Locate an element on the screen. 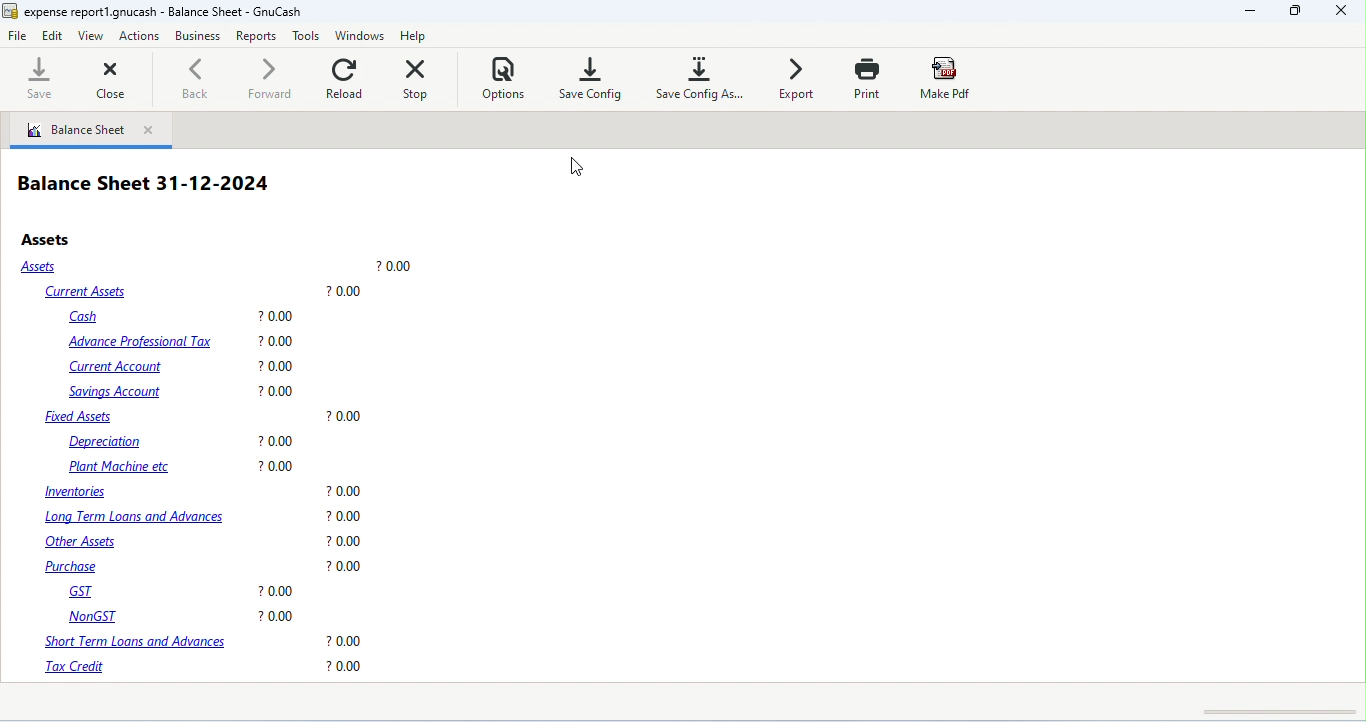 The width and height of the screenshot is (1366, 722). short term loans and advances is located at coordinates (201, 641).